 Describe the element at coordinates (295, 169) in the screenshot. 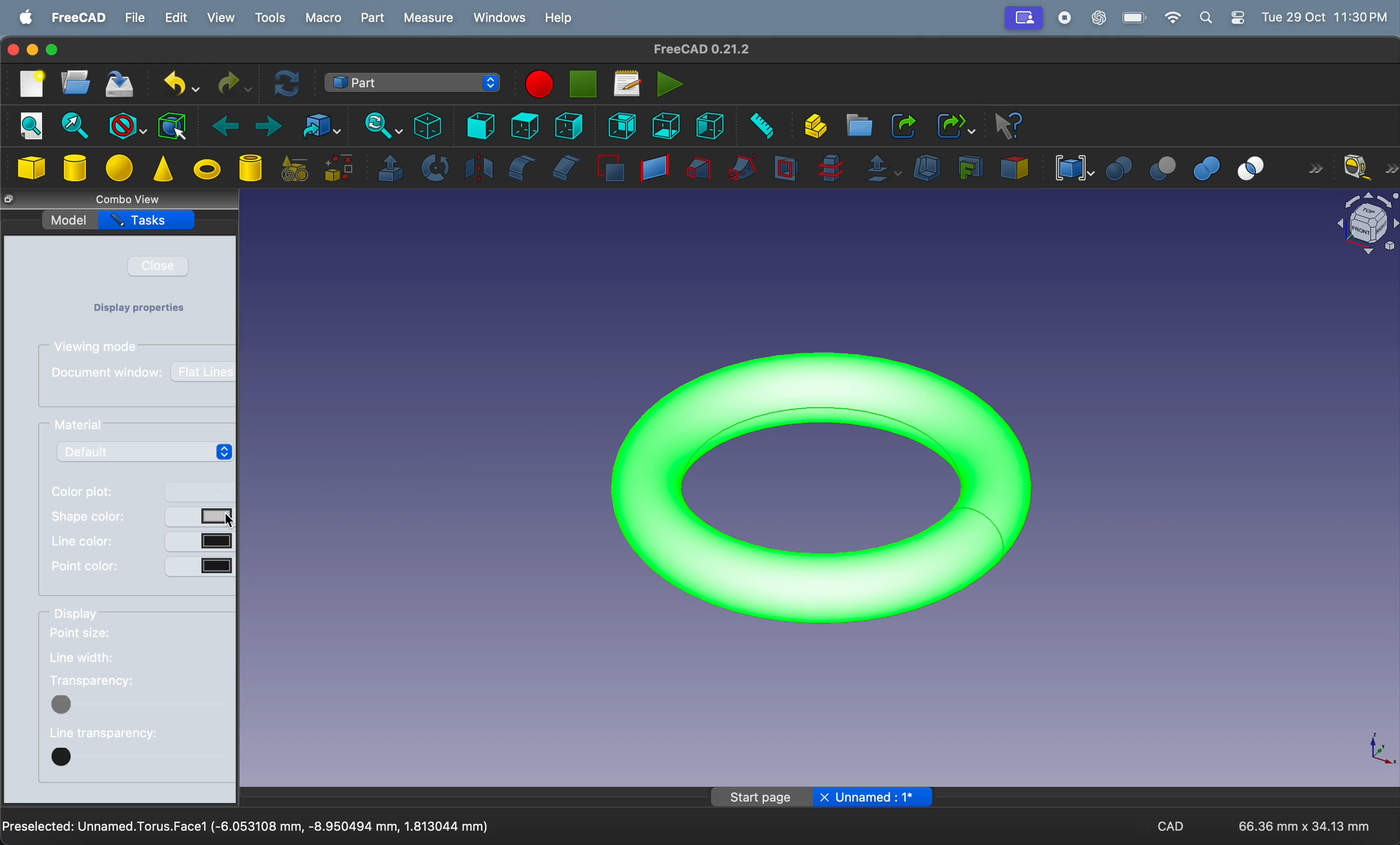

I see `create primitives` at that location.